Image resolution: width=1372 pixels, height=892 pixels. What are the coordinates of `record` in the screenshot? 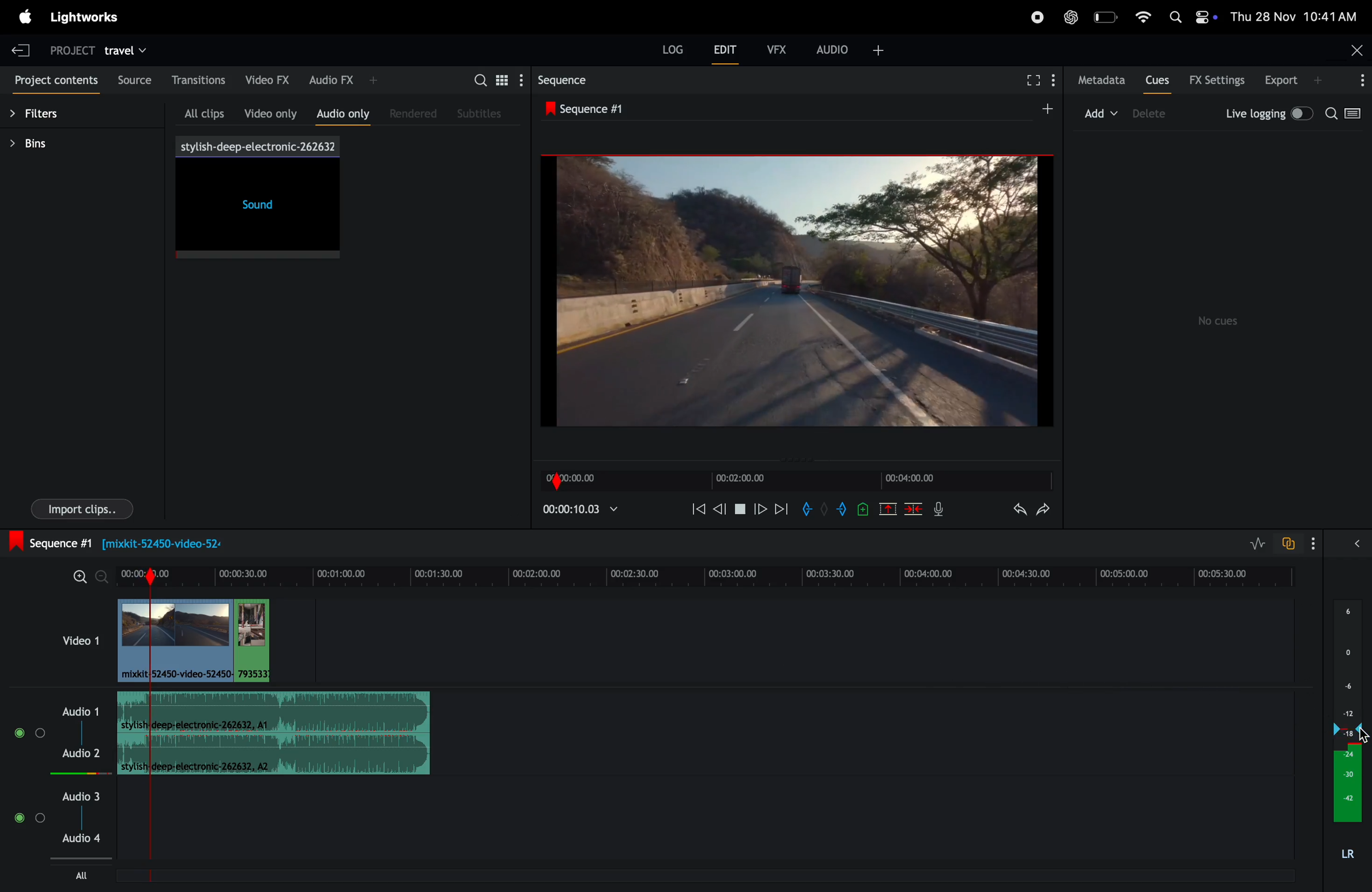 It's located at (1034, 16).